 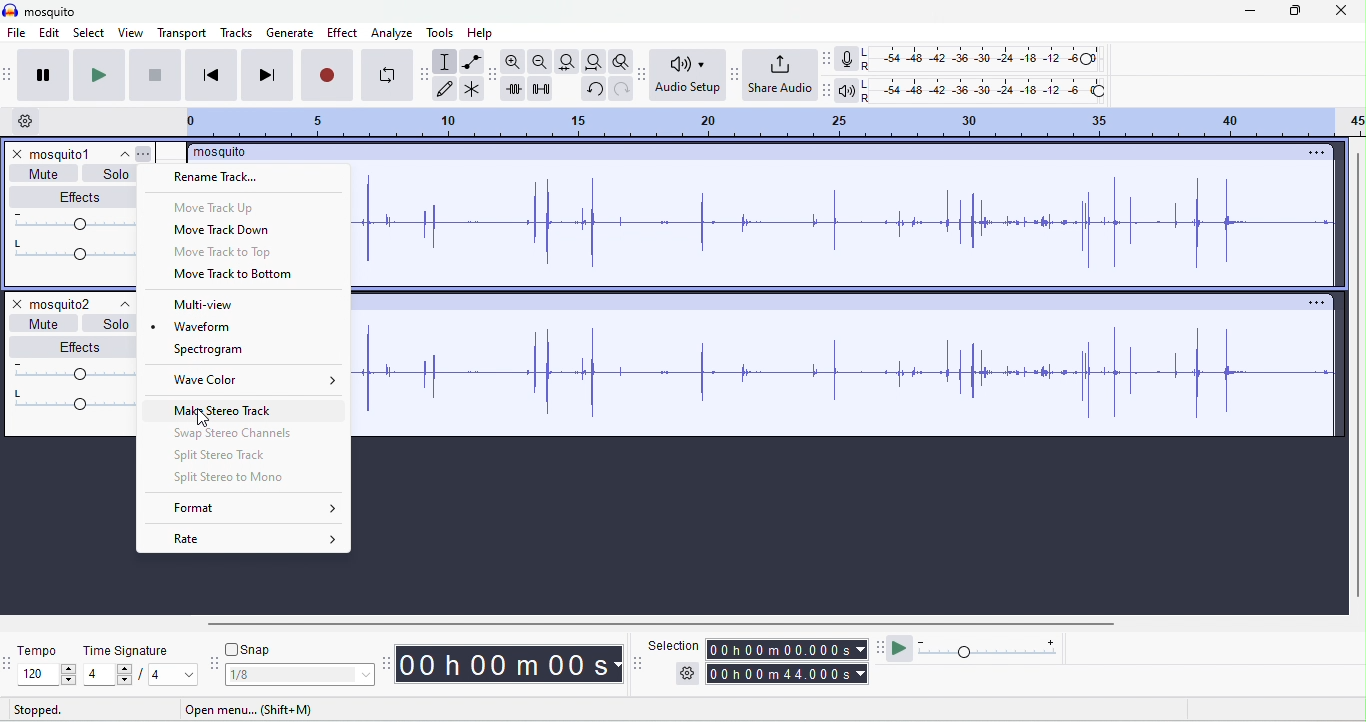 I want to click on rate, so click(x=248, y=538).